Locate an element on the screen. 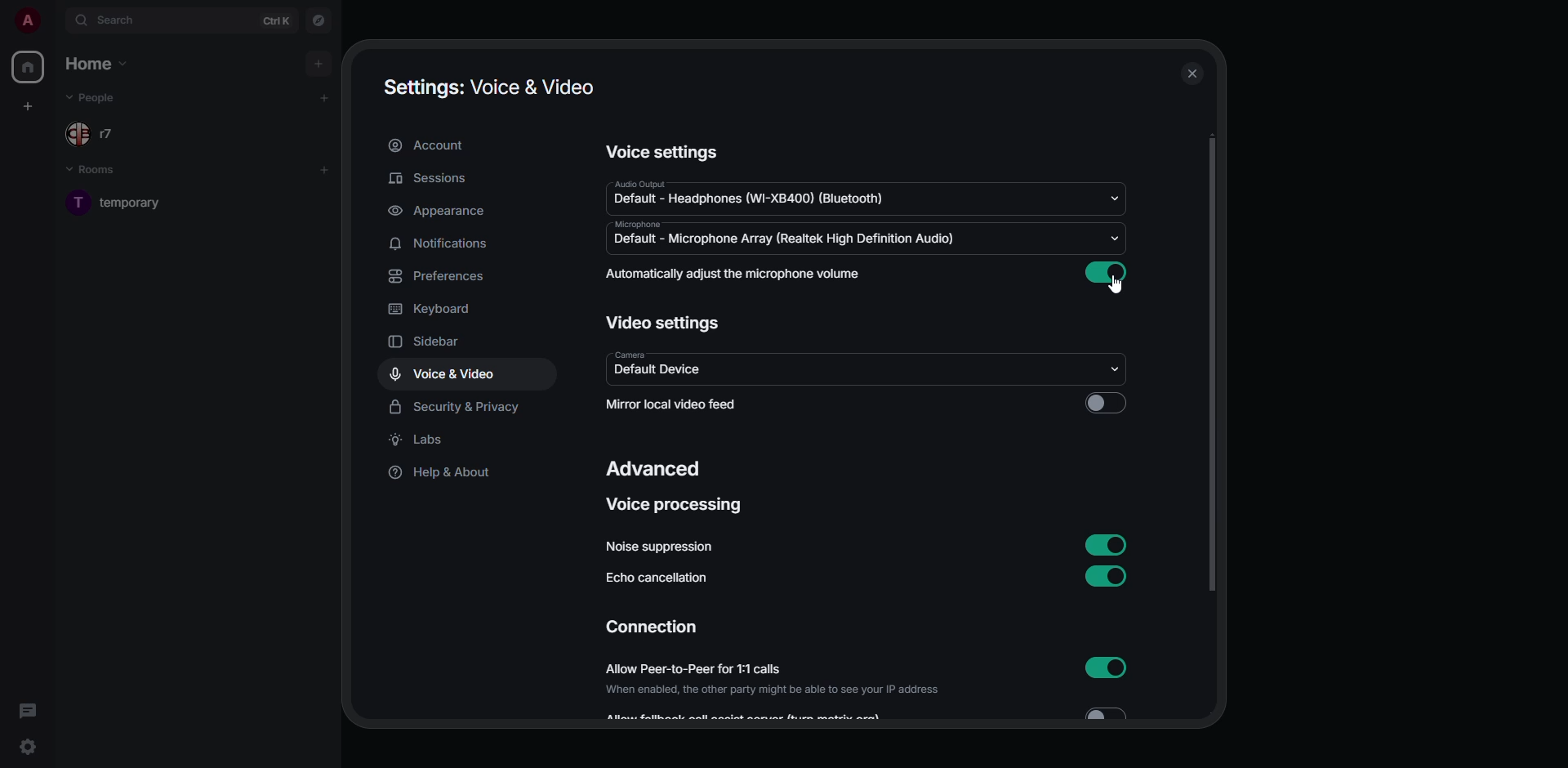  add is located at coordinates (326, 167).